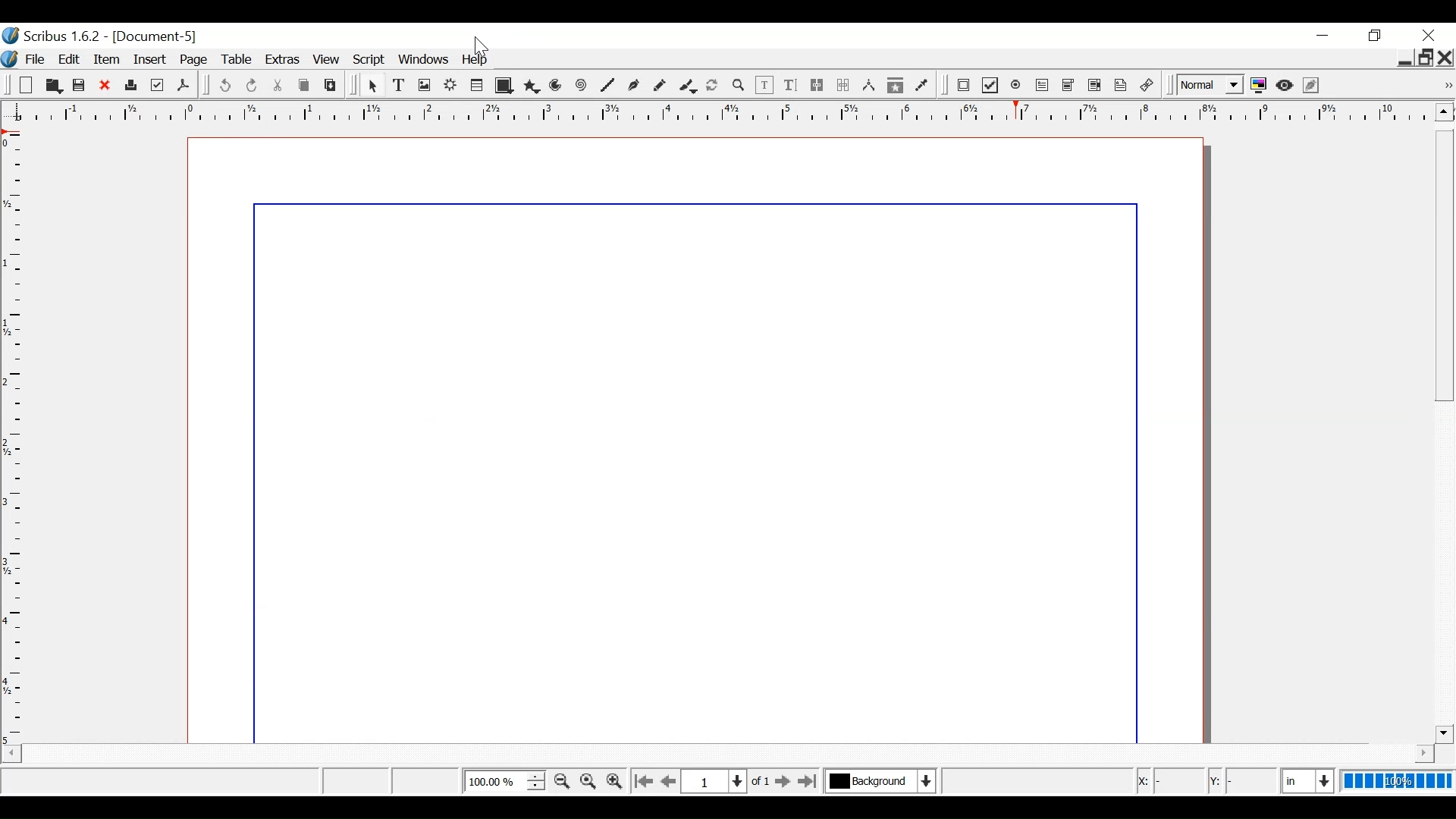 This screenshot has width=1456, height=819. I want to click on logo, so click(9, 58).